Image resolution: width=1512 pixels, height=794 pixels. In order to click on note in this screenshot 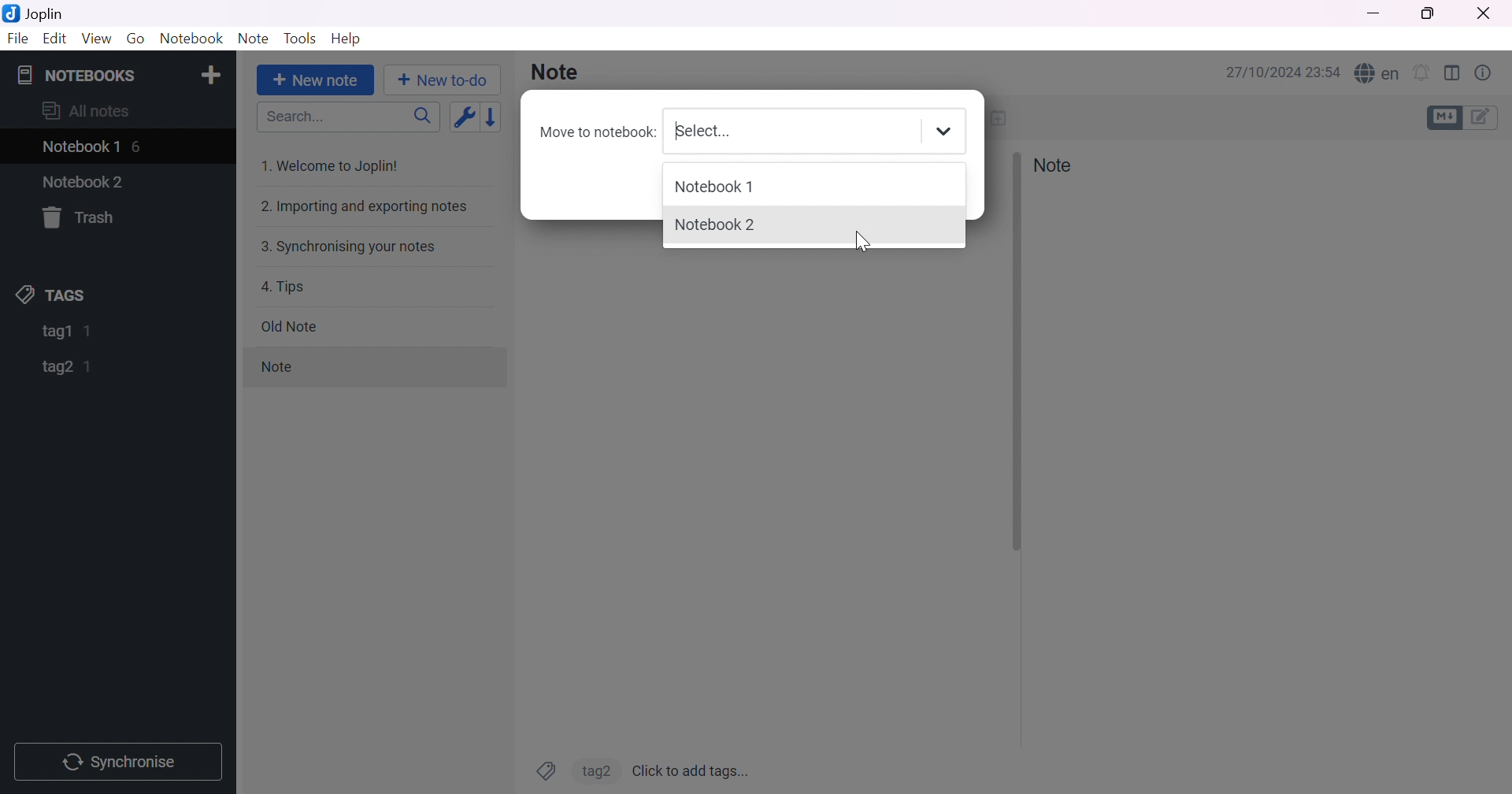, I will do `click(298, 368)`.